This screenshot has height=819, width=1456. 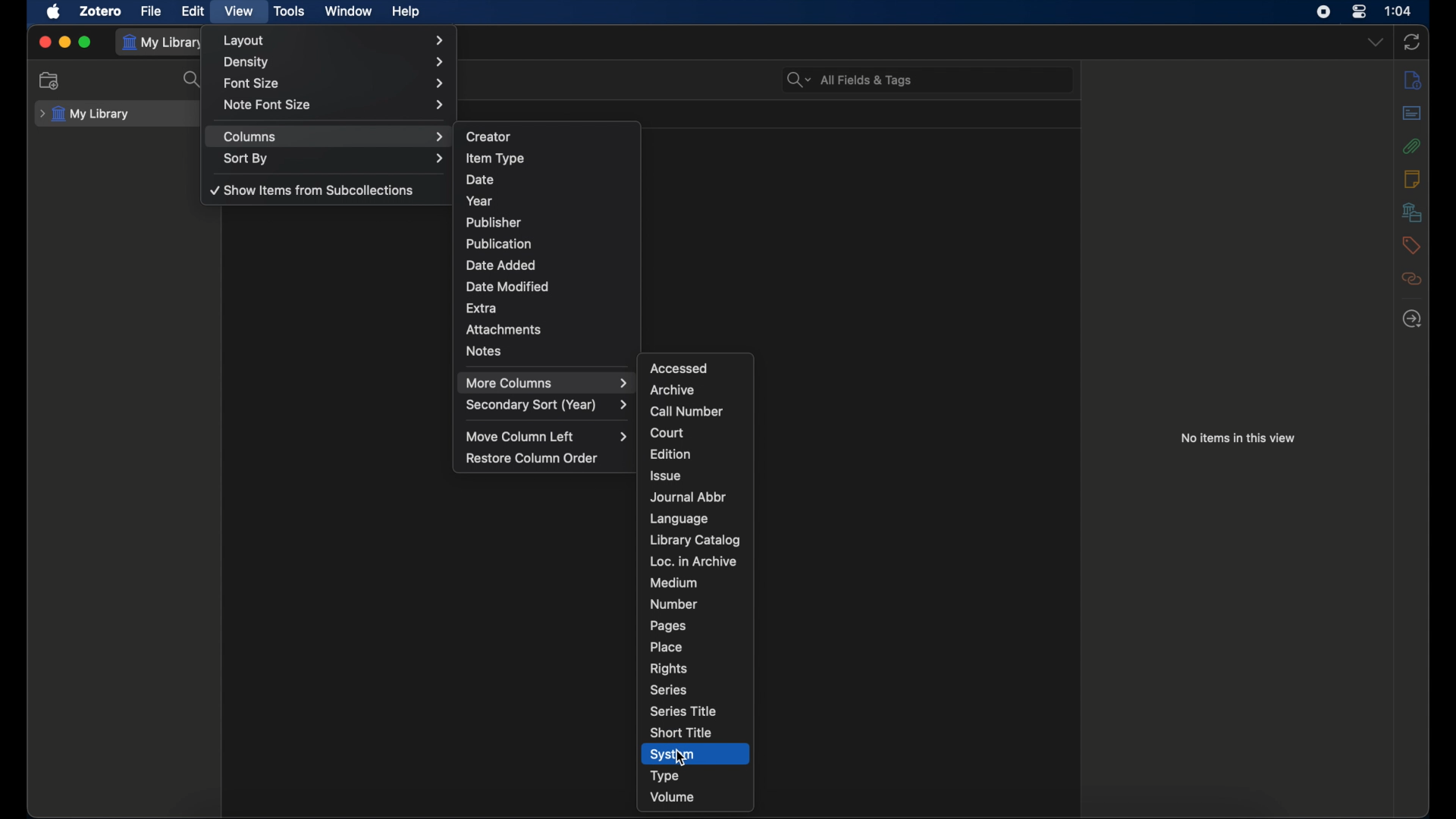 I want to click on move column left, so click(x=547, y=437).